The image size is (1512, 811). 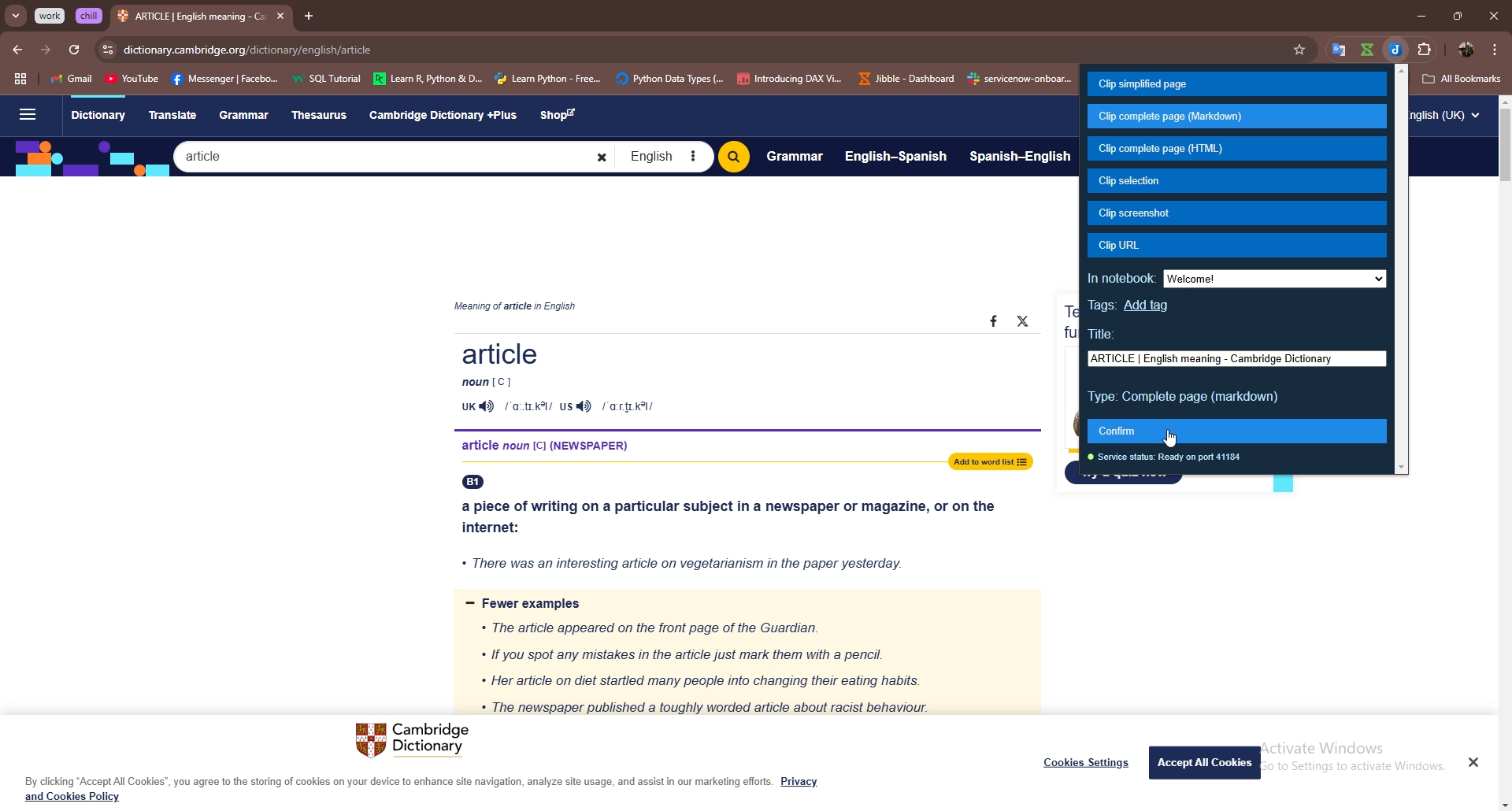 I want to click on Close, so click(x=1473, y=761).